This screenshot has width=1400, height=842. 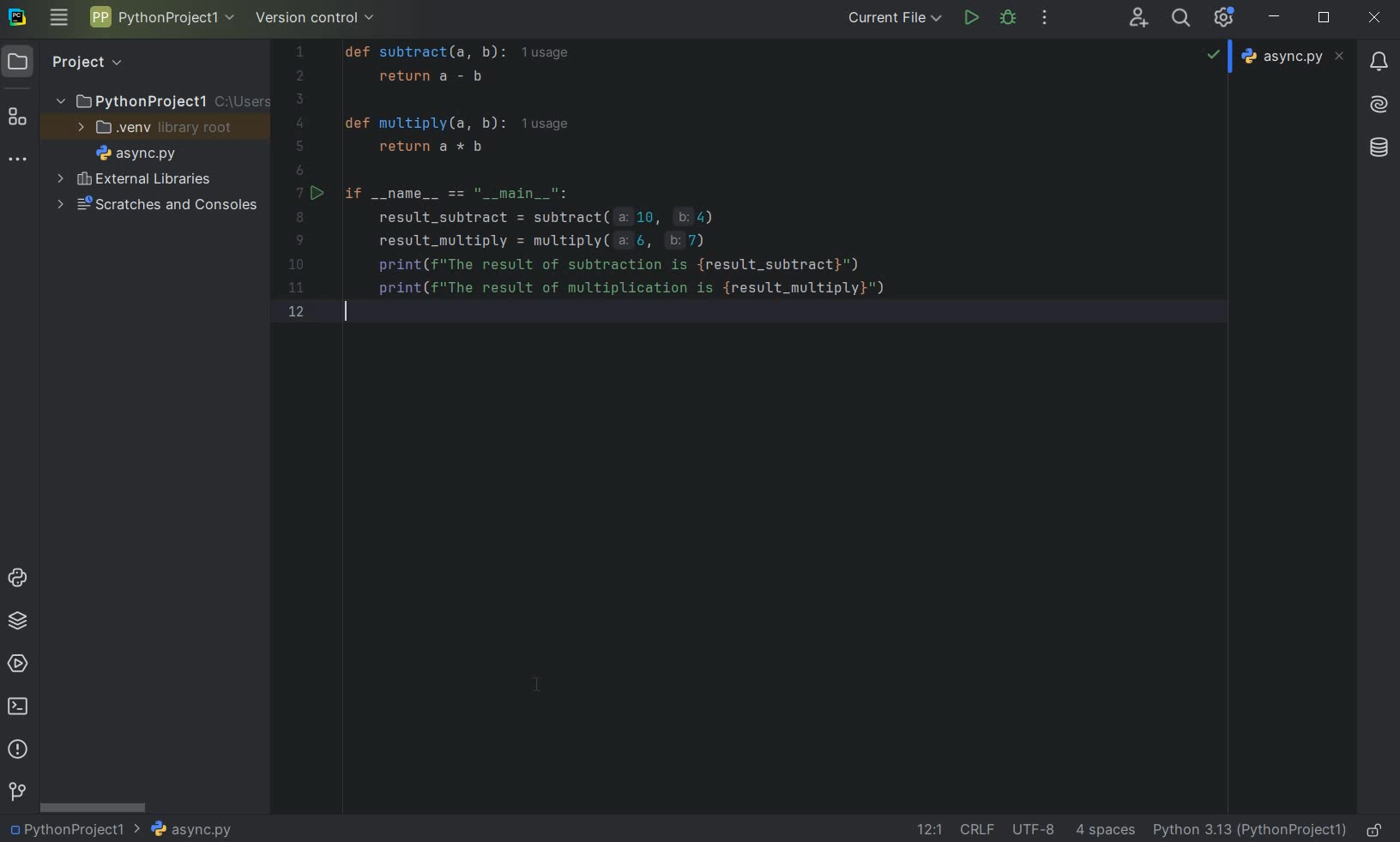 What do you see at coordinates (1376, 827) in the screenshot?
I see `make file ready only` at bounding box center [1376, 827].